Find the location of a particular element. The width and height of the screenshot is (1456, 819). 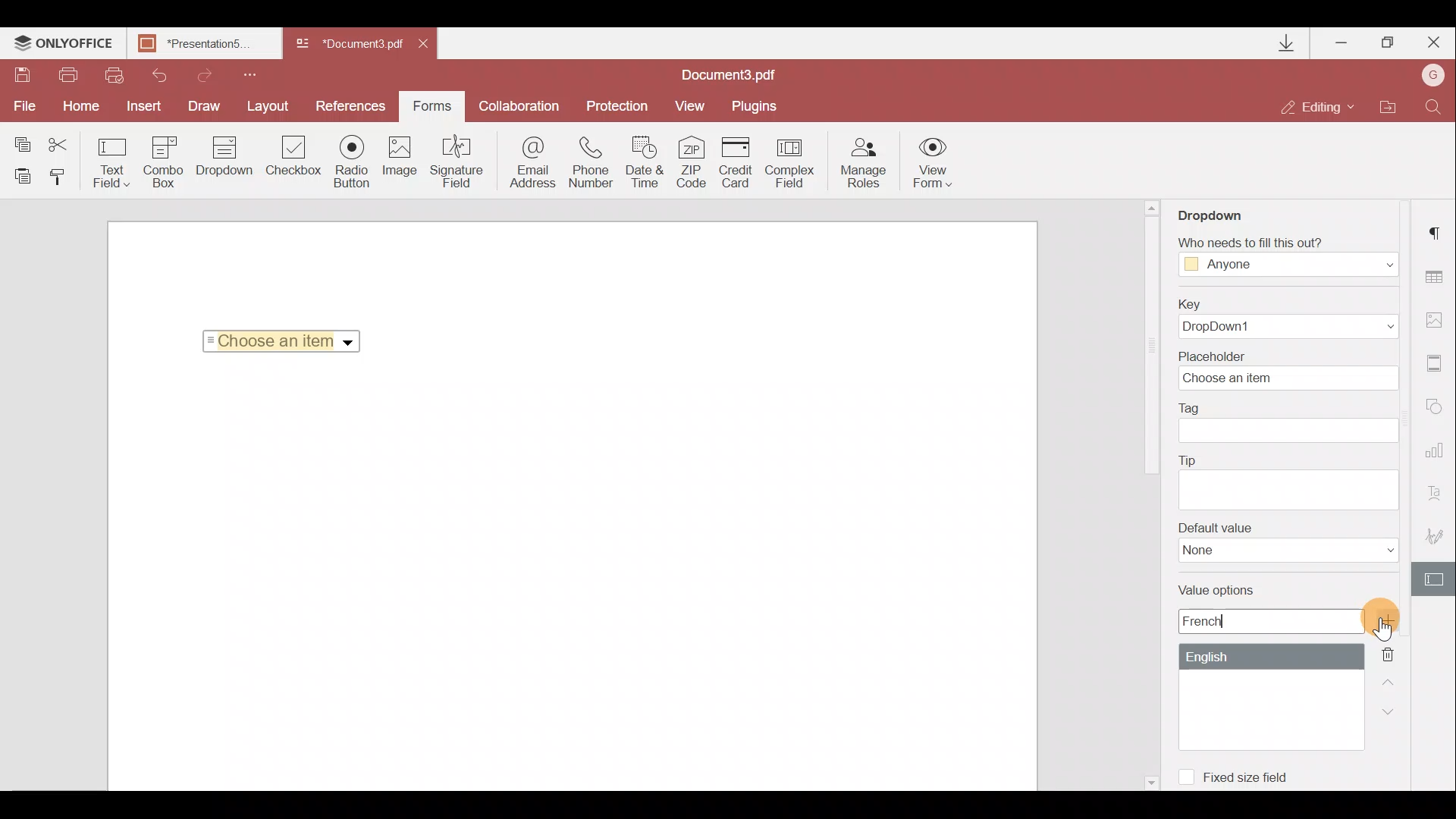

Presentation5 is located at coordinates (201, 45).